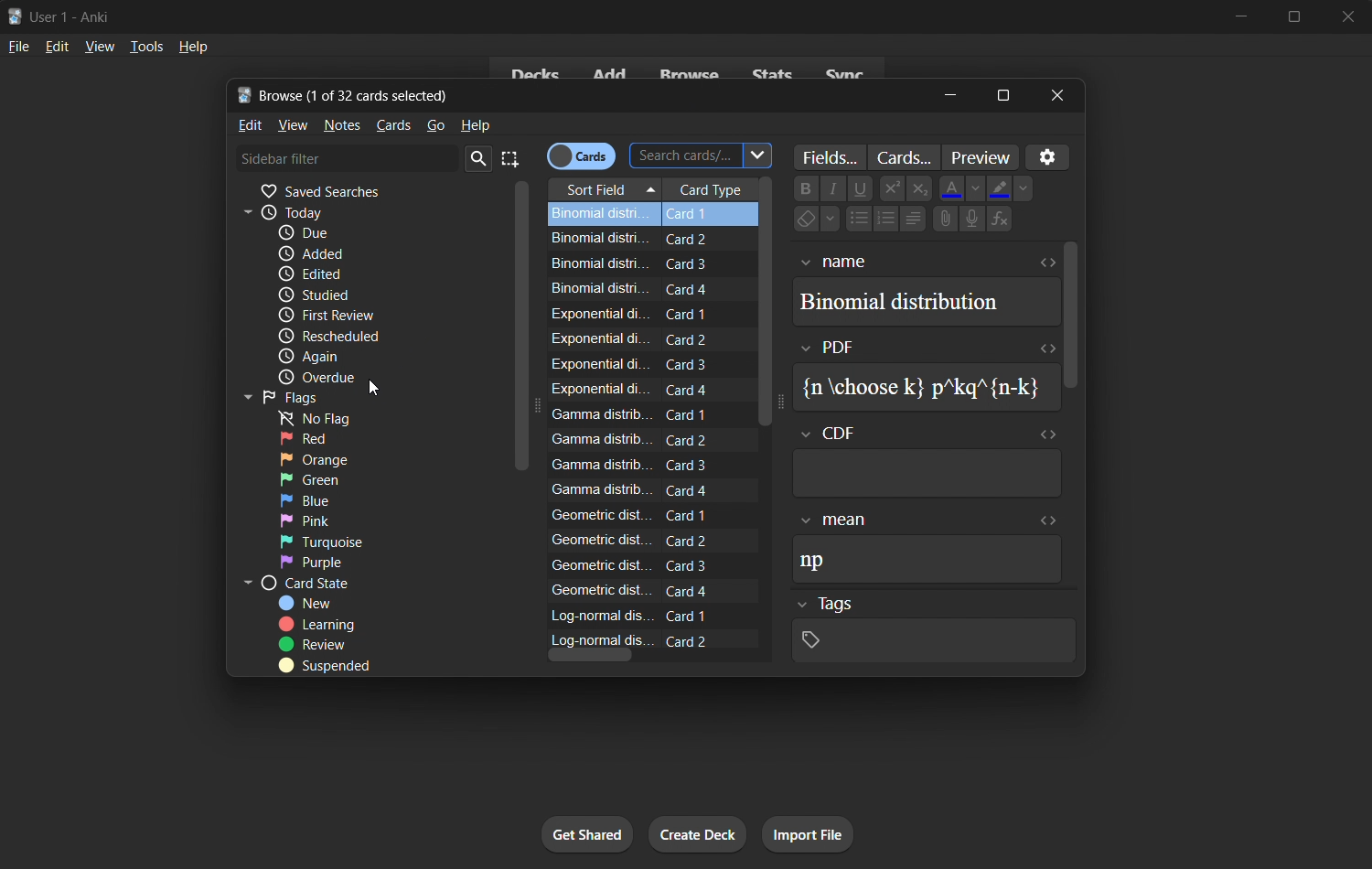 This screenshot has height=869, width=1372. What do you see at coordinates (649, 189) in the screenshot?
I see `Drop down` at bounding box center [649, 189].